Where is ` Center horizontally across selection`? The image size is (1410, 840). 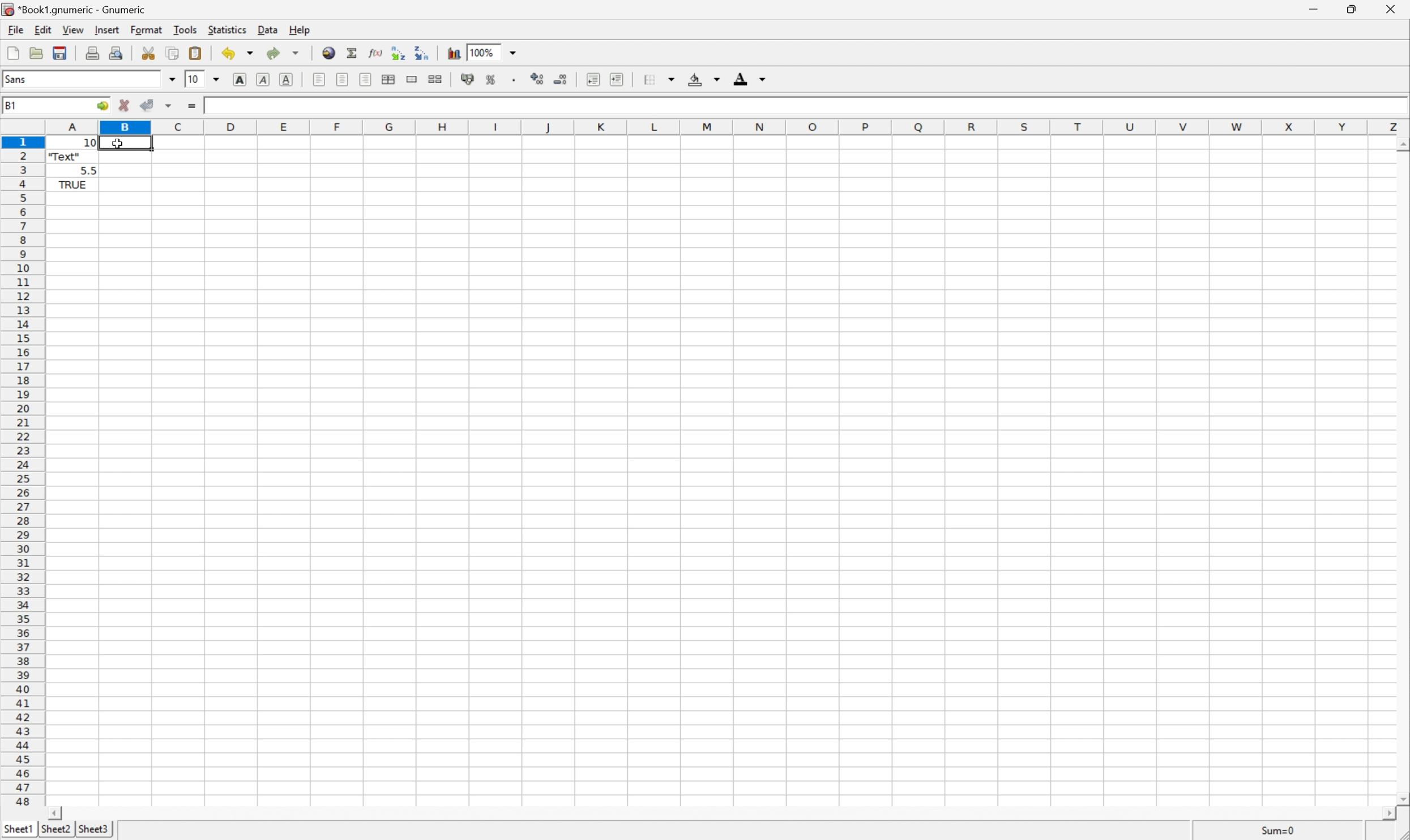
 Center horizontally across selection is located at coordinates (389, 80).